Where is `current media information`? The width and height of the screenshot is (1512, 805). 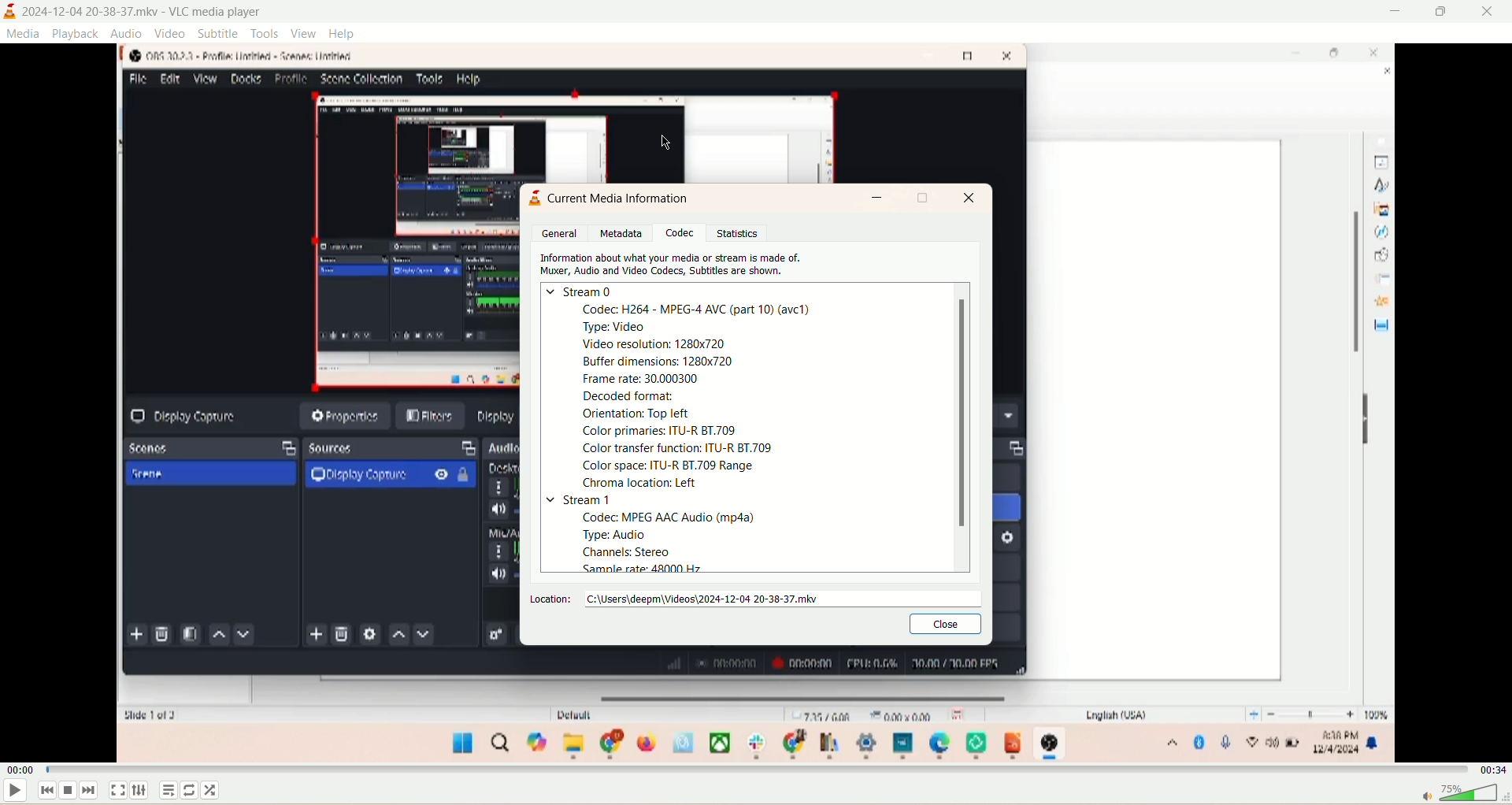 current media information is located at coordinates (620, 199).